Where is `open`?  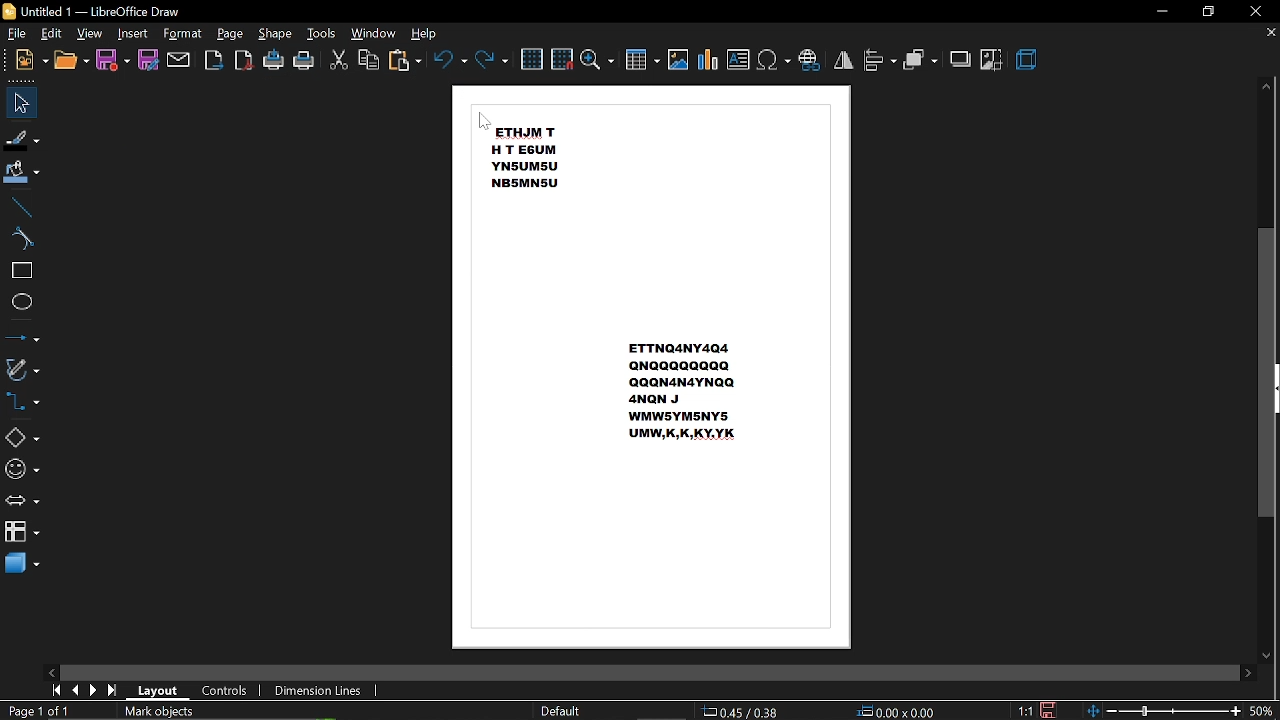
open is located at coordinates (71, 62).